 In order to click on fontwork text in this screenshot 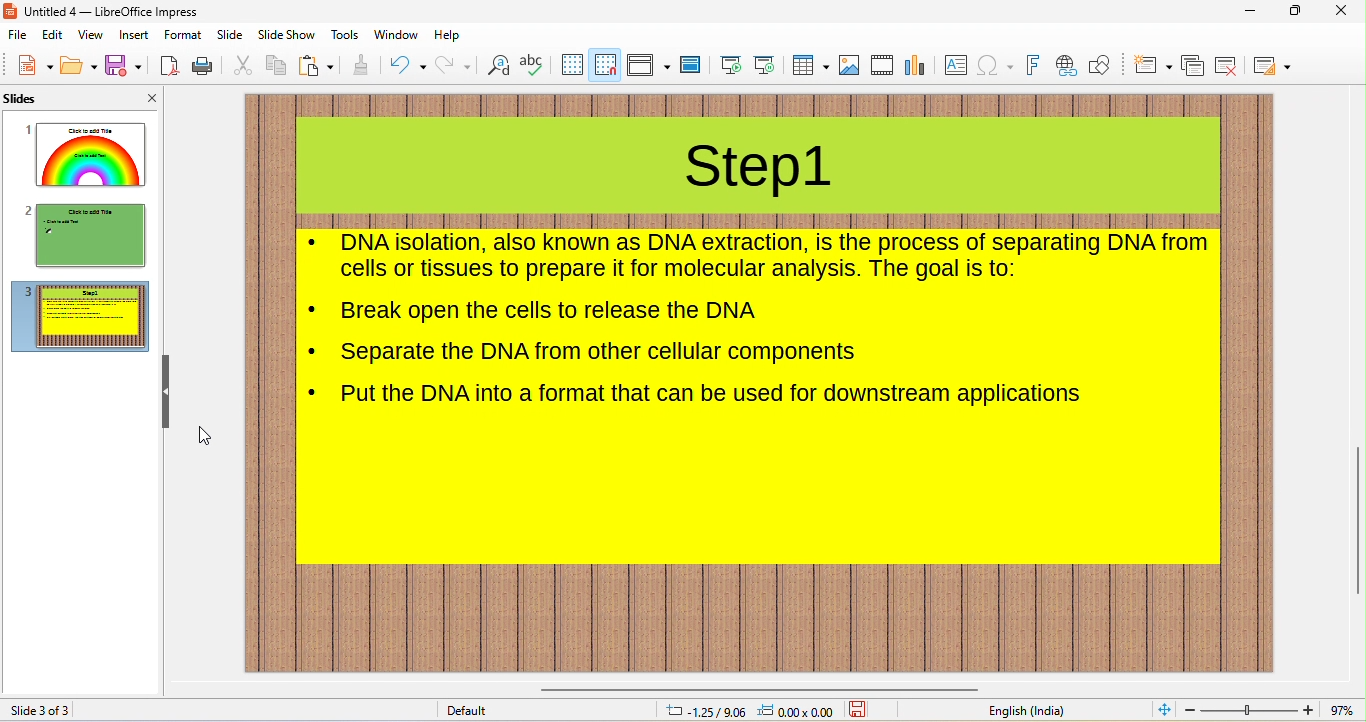, I will do `click(1033, 66)`.